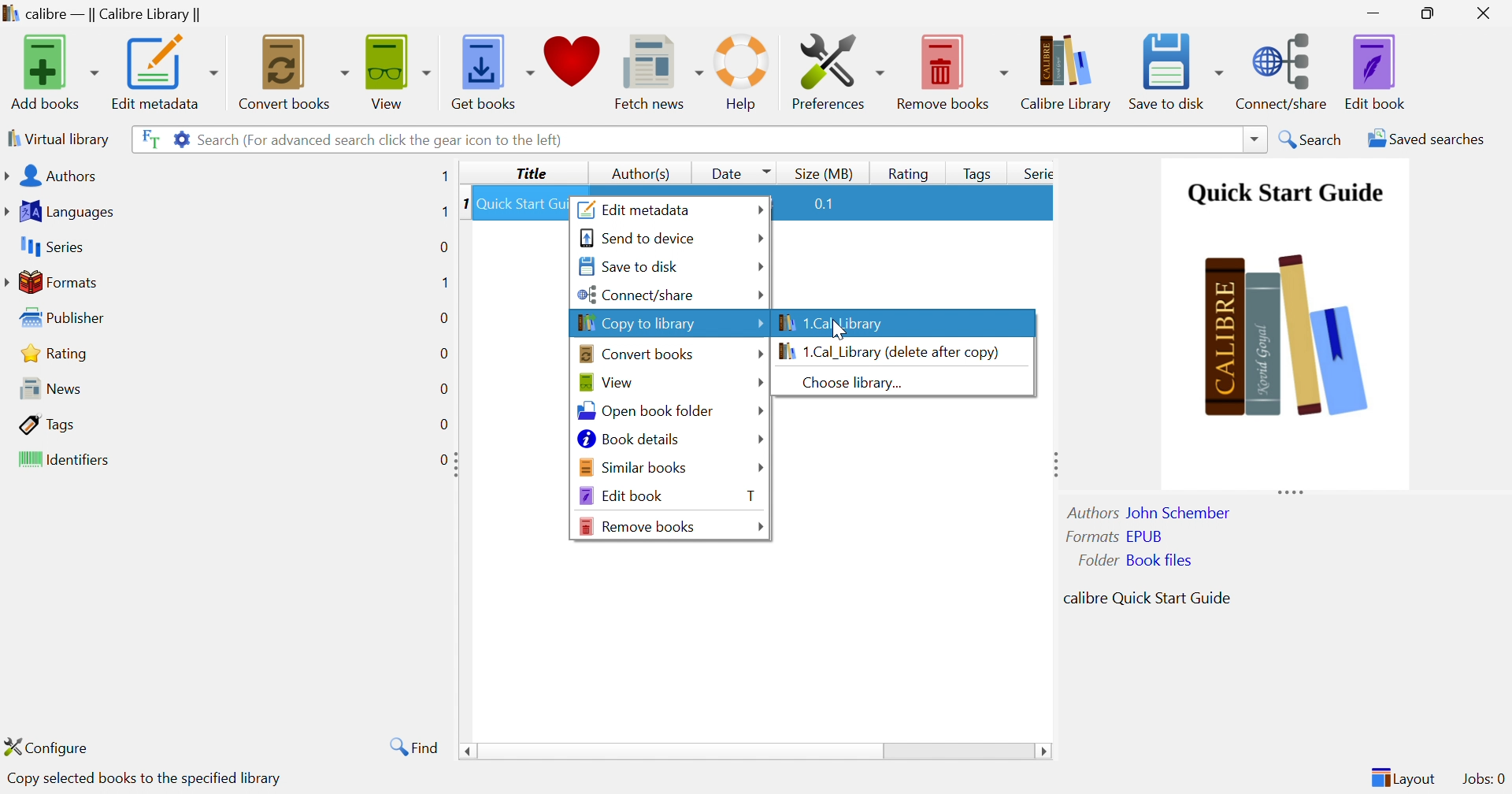 This screenshot has width=1512, height=794. Describe the element at coordinates (973, 171) in the screenshot. I see `Tags` at that location.